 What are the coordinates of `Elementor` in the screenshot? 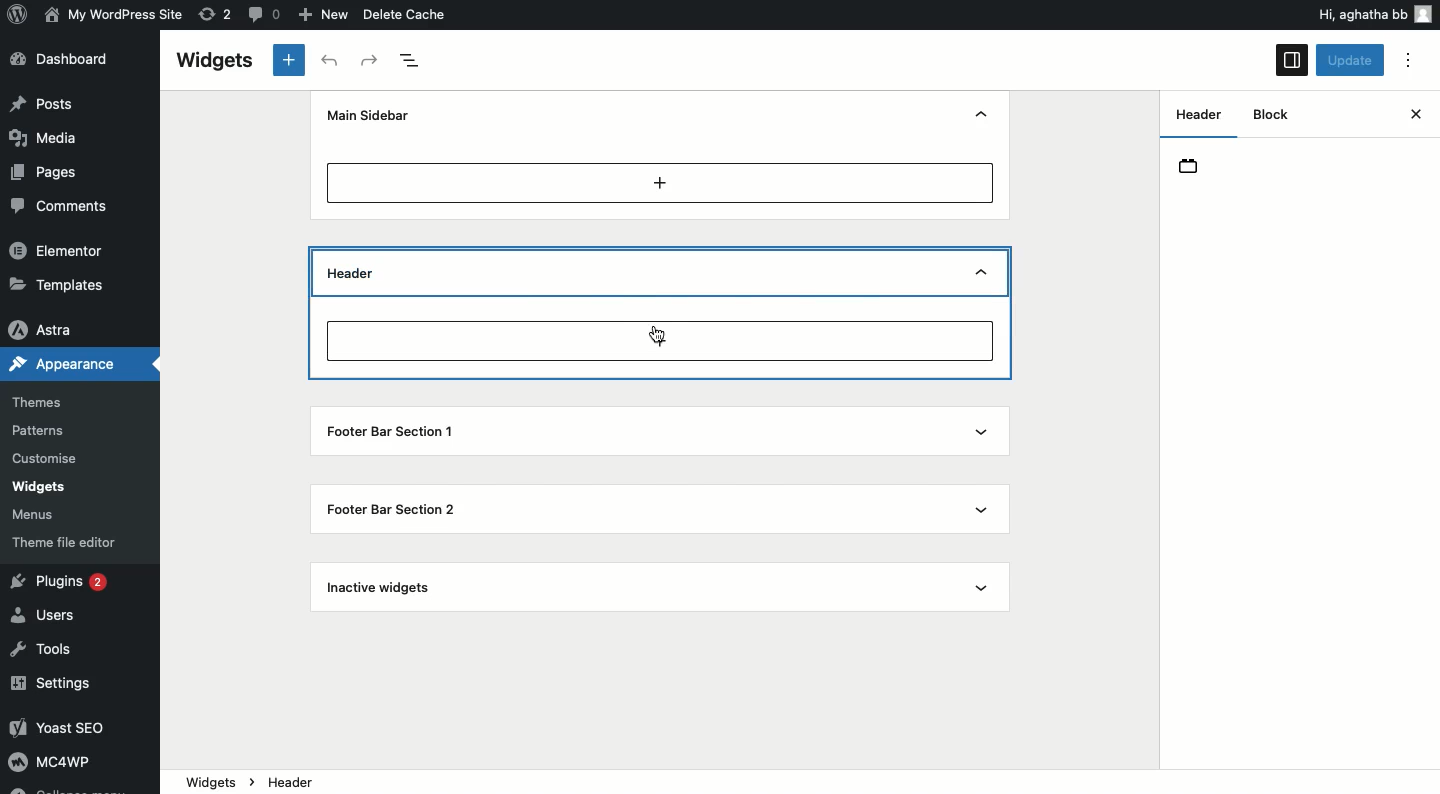 It's located at (58, 249).